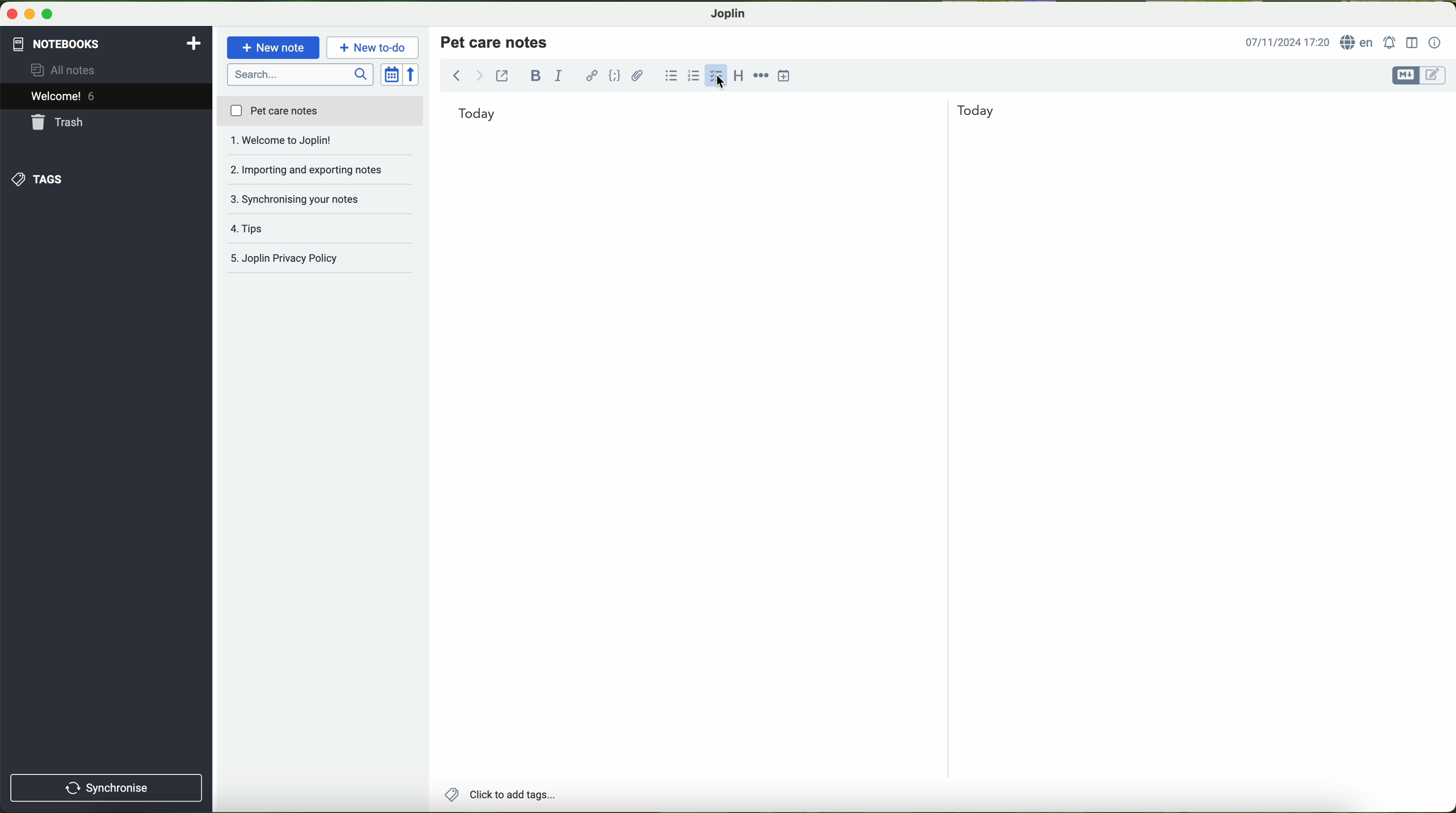 The image size is (1456, 813). What do you see at coordinates (1391, 42) in the screenshot?
I see `set alarm` at bounding box center [1391, 42].